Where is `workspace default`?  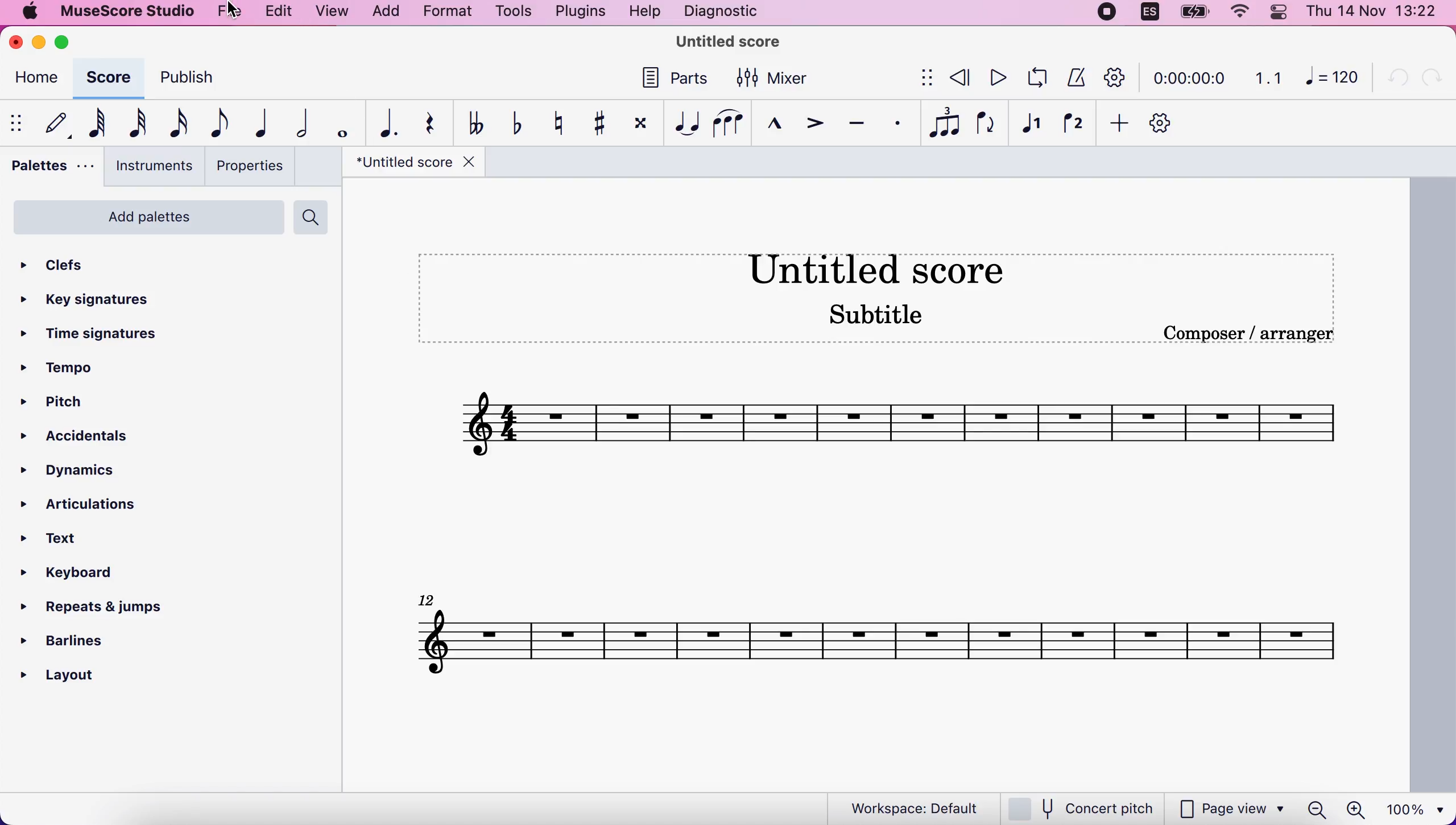
workspace default is located at coordinates (907, 807).